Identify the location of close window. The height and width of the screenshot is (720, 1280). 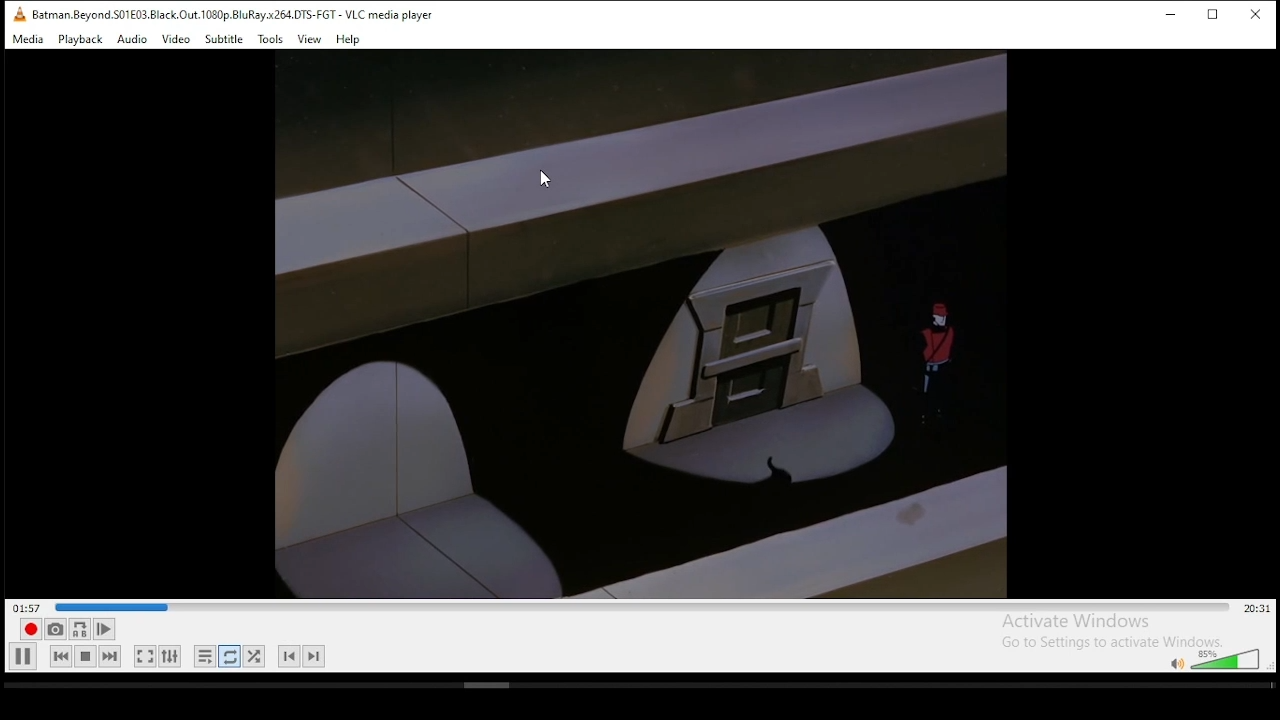
(1256, 13).